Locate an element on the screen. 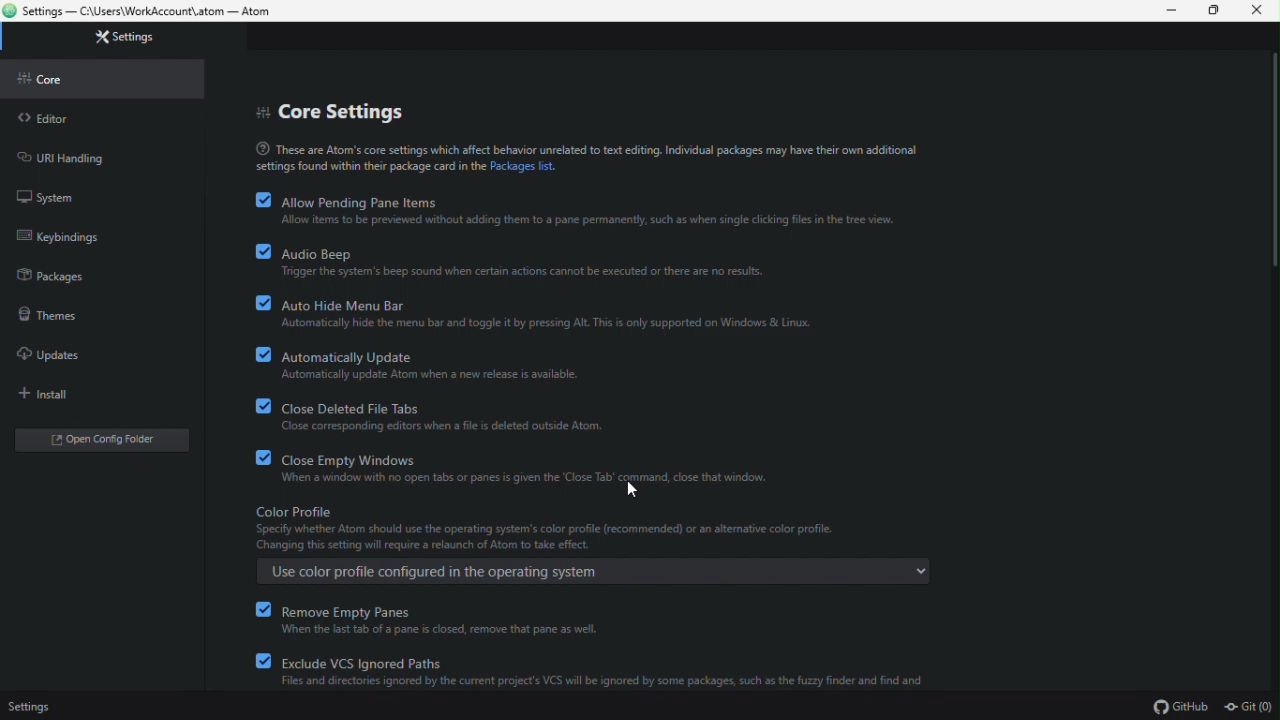 The height and width of the screenshot is (720, 1280). checkbox  is located at coordinates (262, 354).